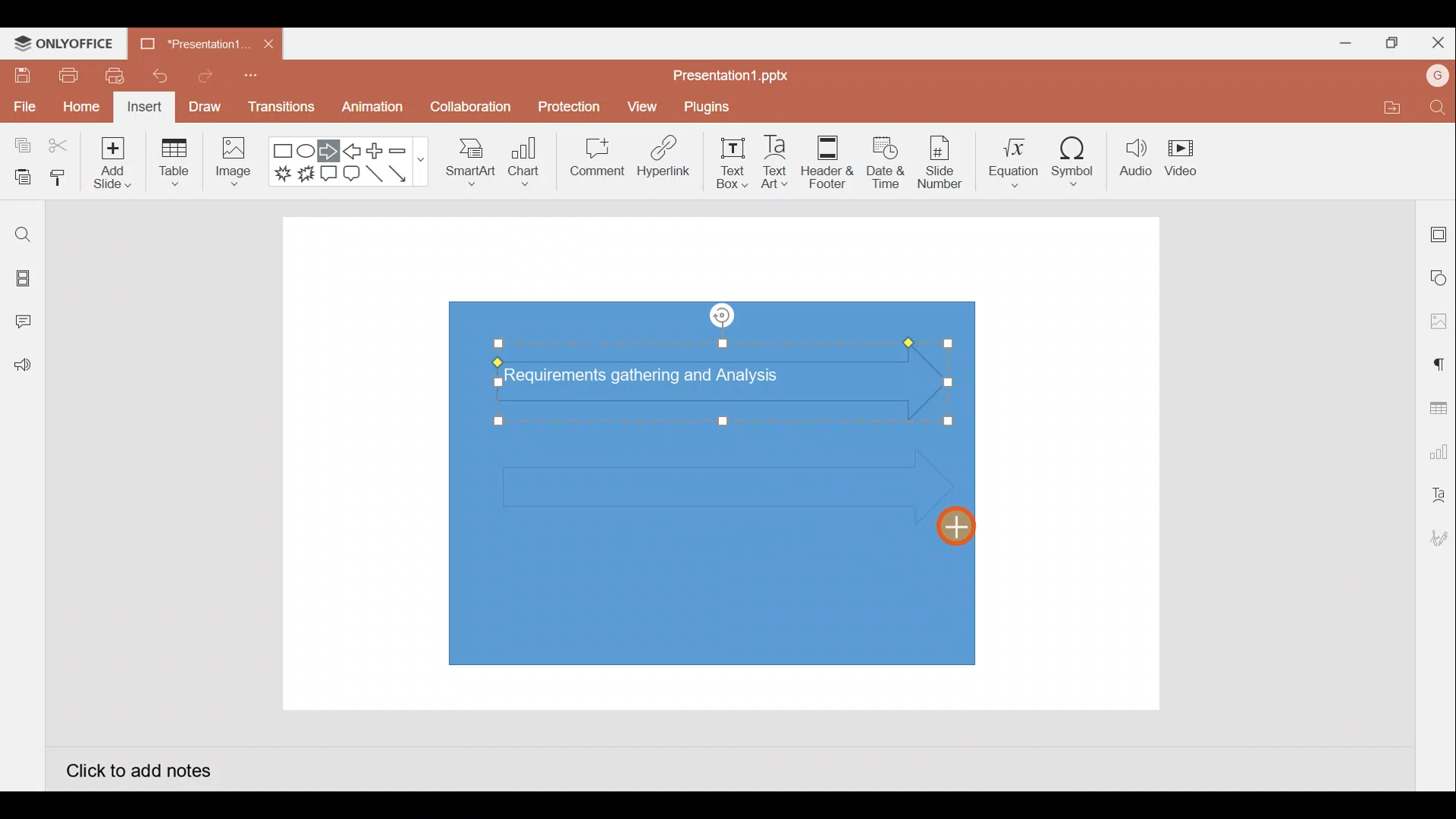  Describe the element at coordinates (1438, 76) in the screenshot. I see `Account name` at that location.